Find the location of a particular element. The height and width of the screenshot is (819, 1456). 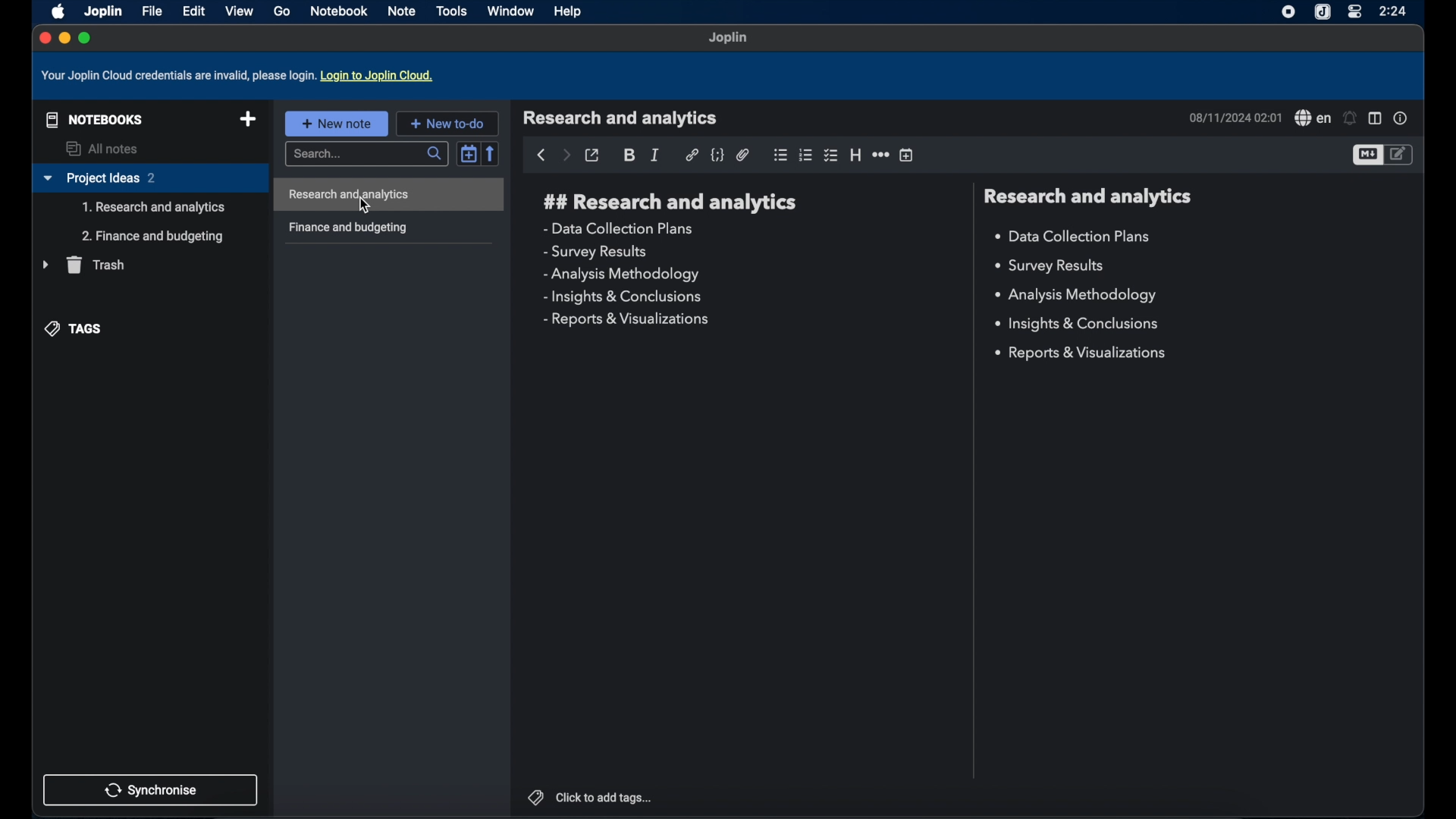

cursor is located at coordinates (368, 206).